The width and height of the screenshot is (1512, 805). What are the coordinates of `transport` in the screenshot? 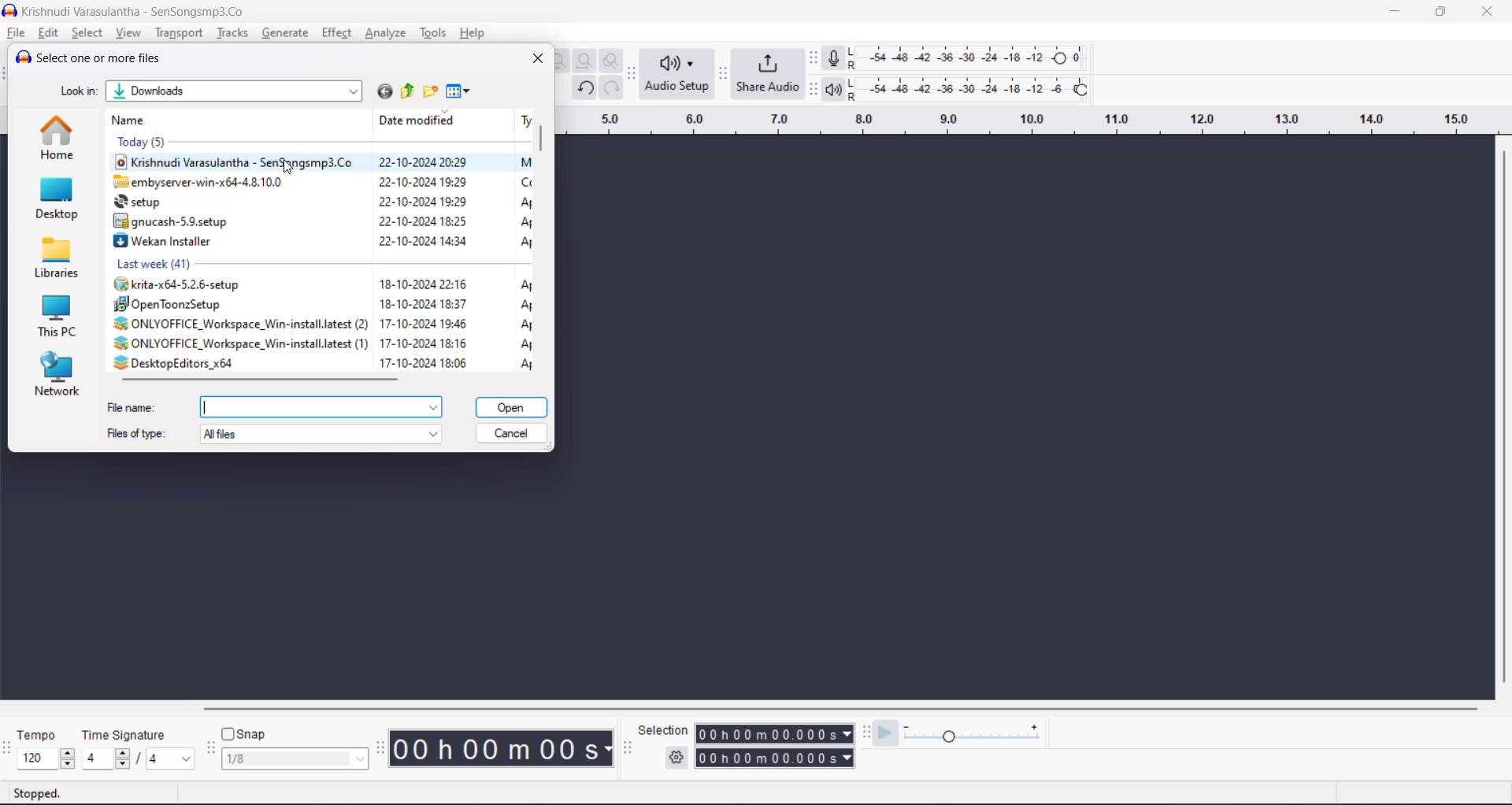 It's located at (179, 33).